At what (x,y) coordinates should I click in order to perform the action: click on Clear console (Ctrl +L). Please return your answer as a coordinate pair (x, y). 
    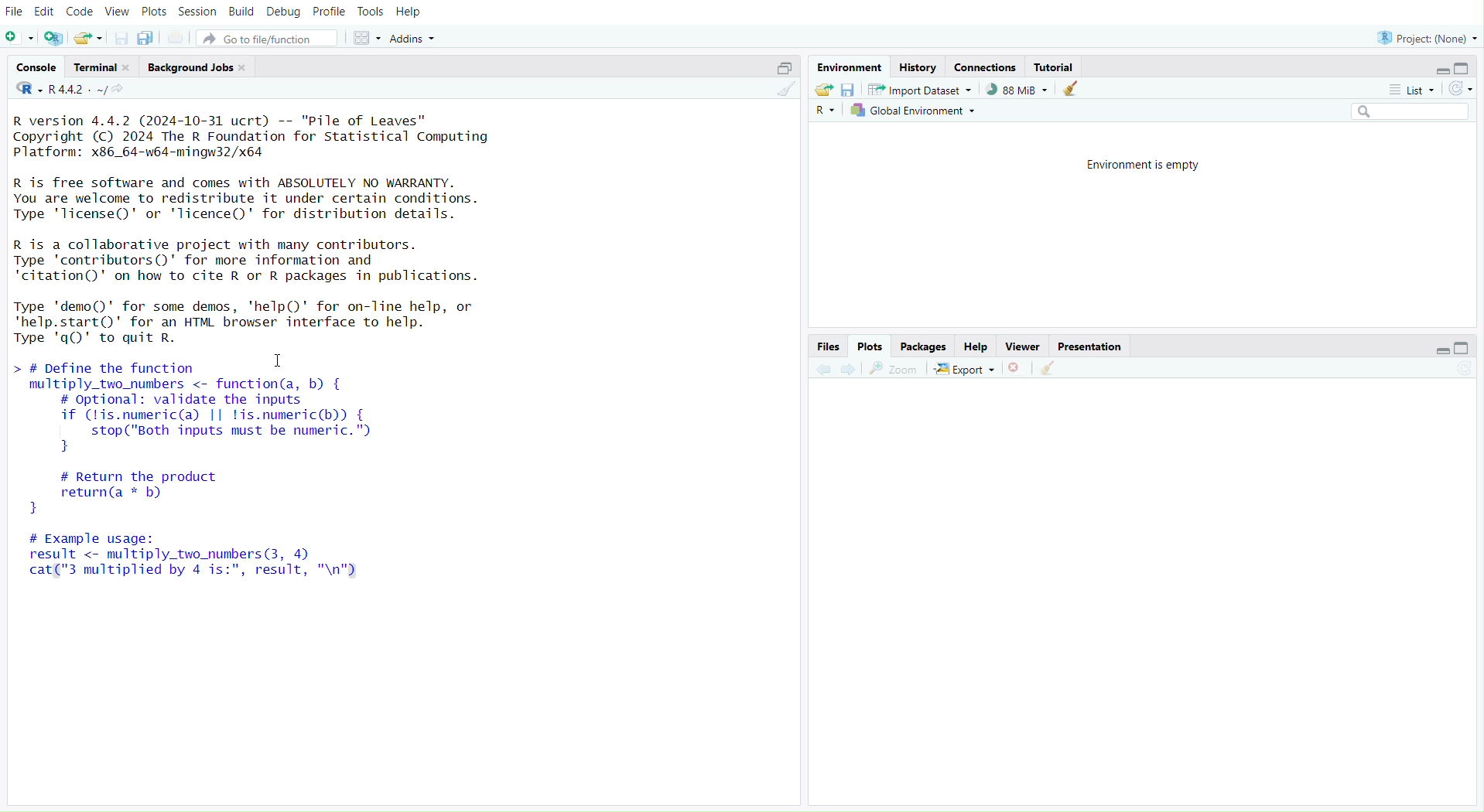
    Looking at the image, I should click on (1054, 367).